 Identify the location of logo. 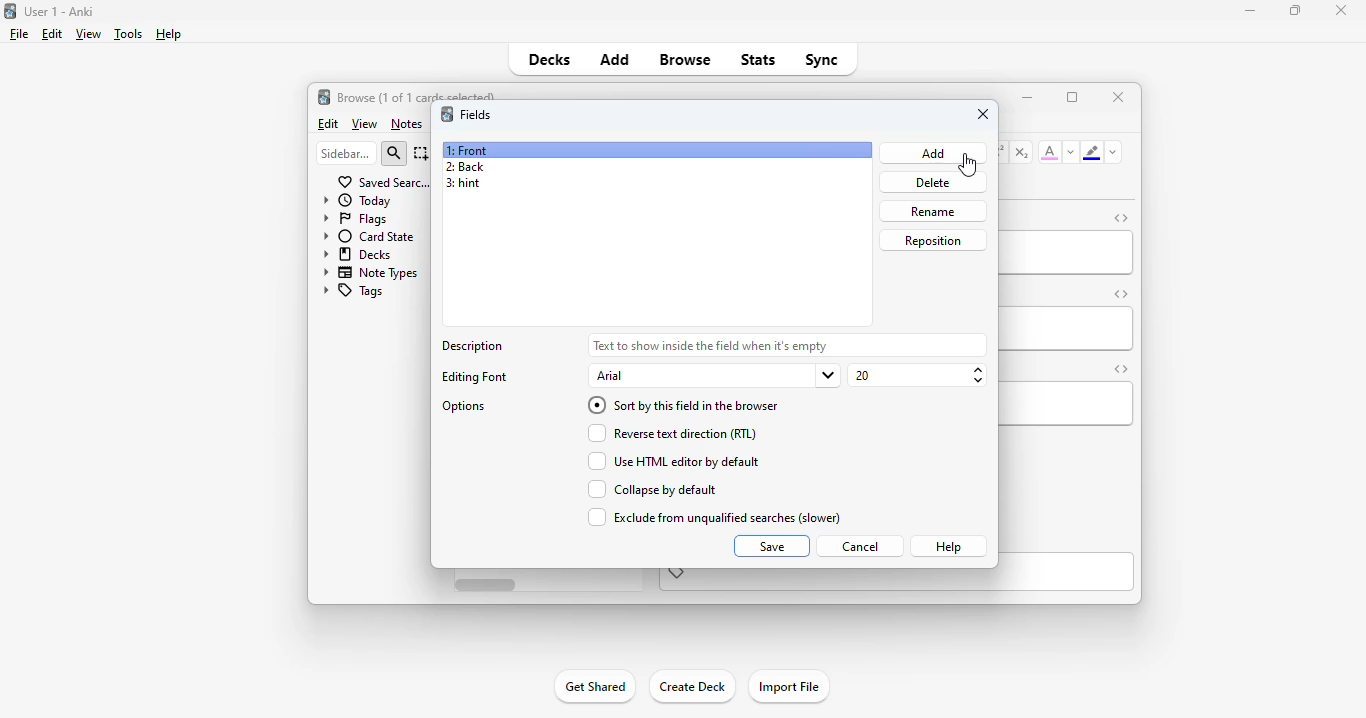
(323, 96).